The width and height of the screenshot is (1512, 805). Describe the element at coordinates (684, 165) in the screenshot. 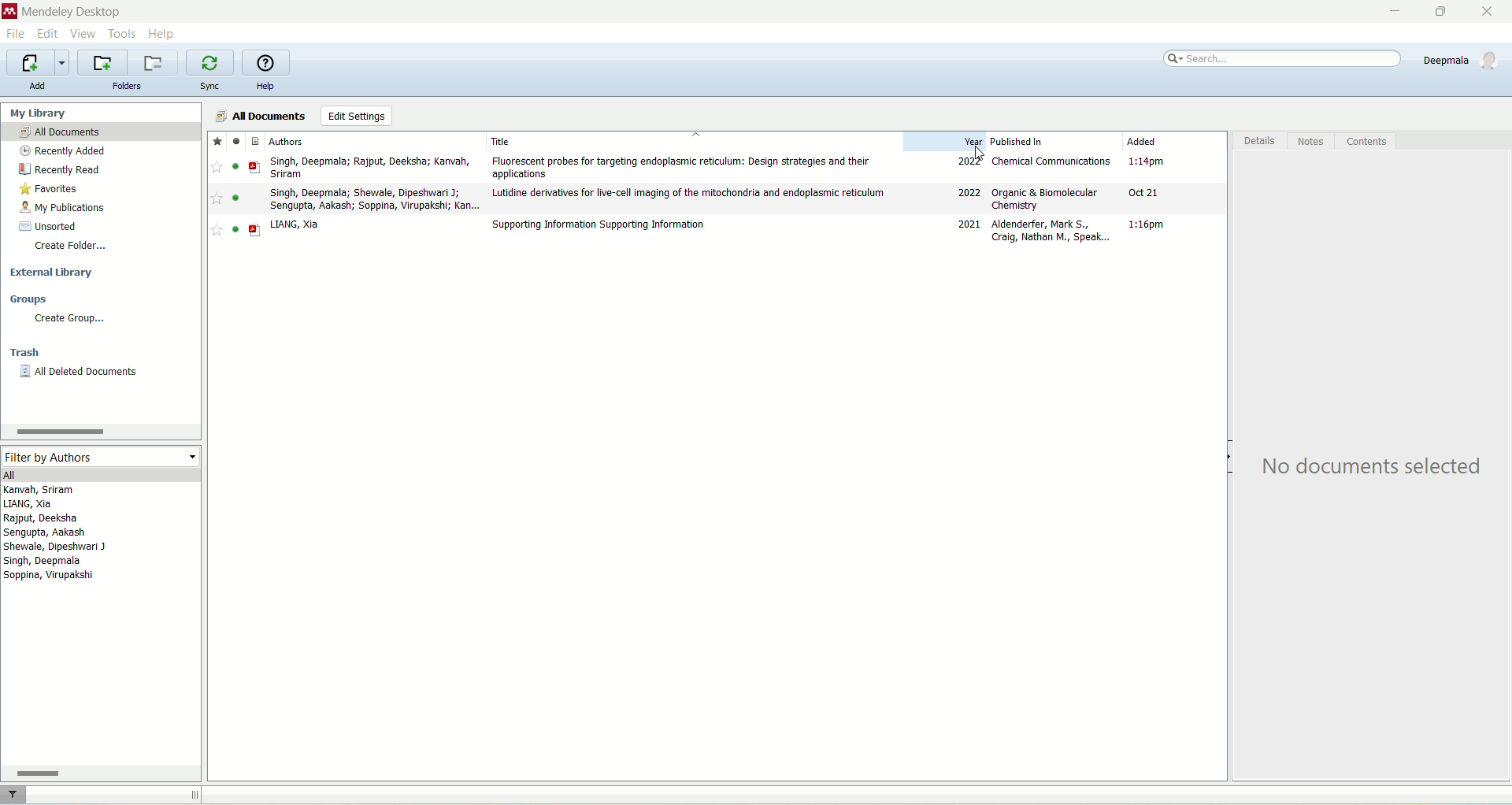

I see `Flourescent probes for targeting endoplasmic reticulum; Desing strategies and their applications` at that location.